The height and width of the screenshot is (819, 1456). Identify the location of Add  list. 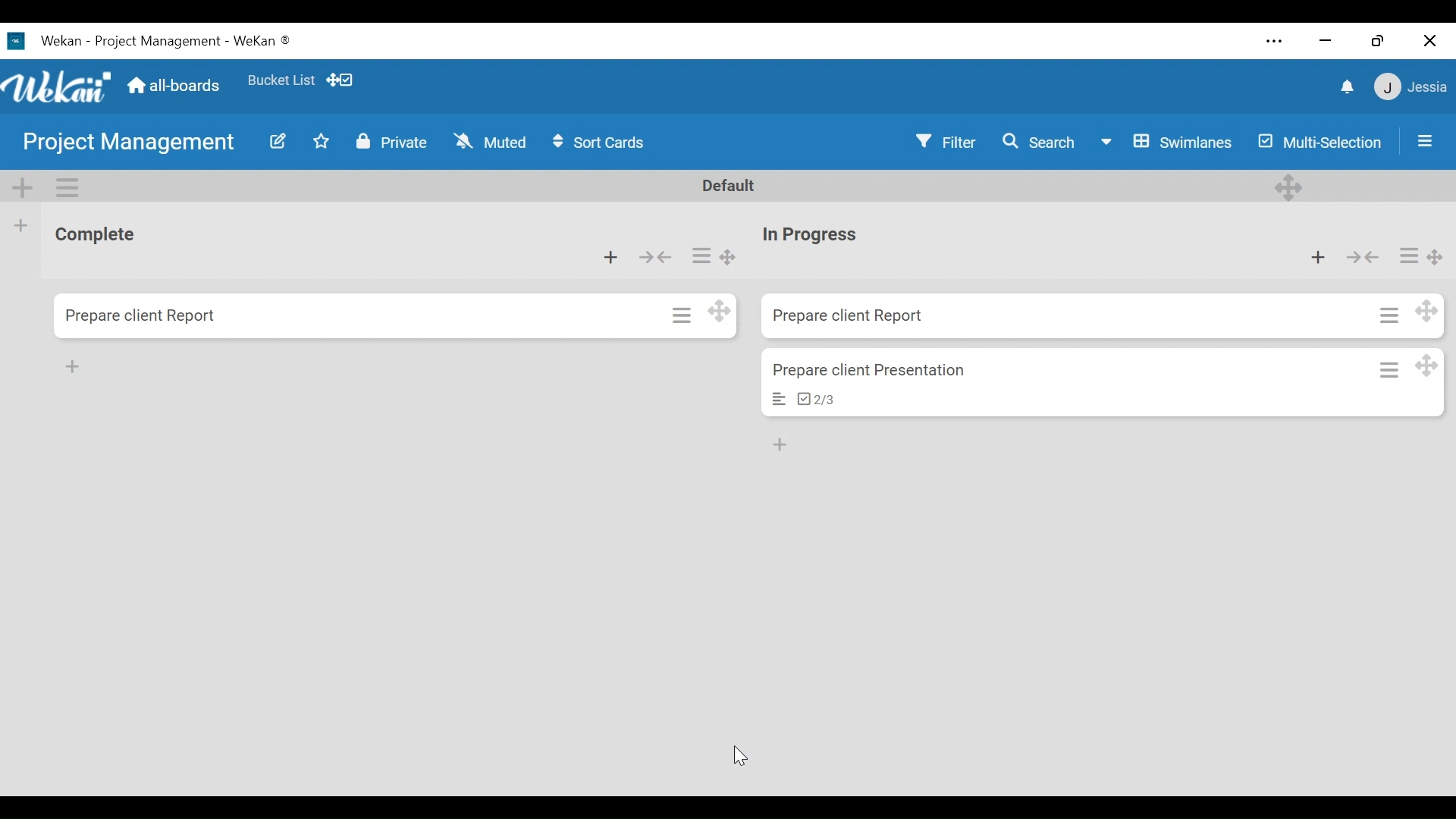
(20, 226).